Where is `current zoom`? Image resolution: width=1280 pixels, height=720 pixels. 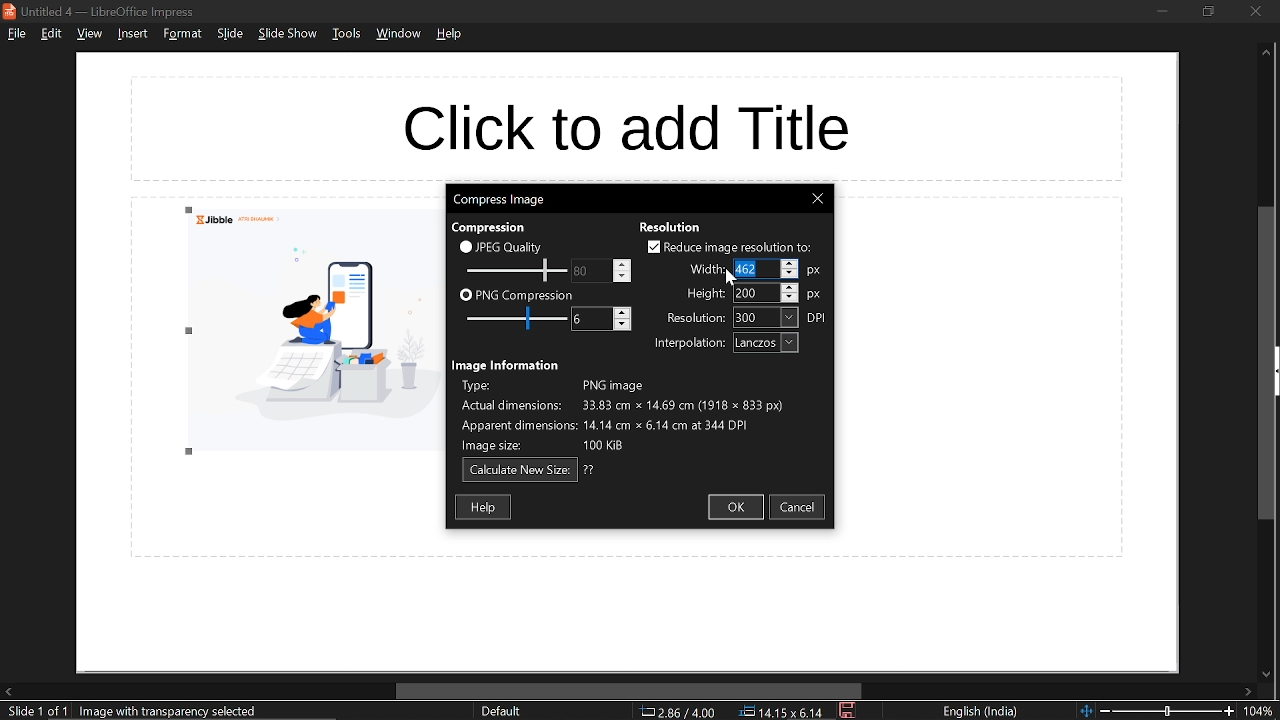 current zoom is located at coordinates (1262, 712).